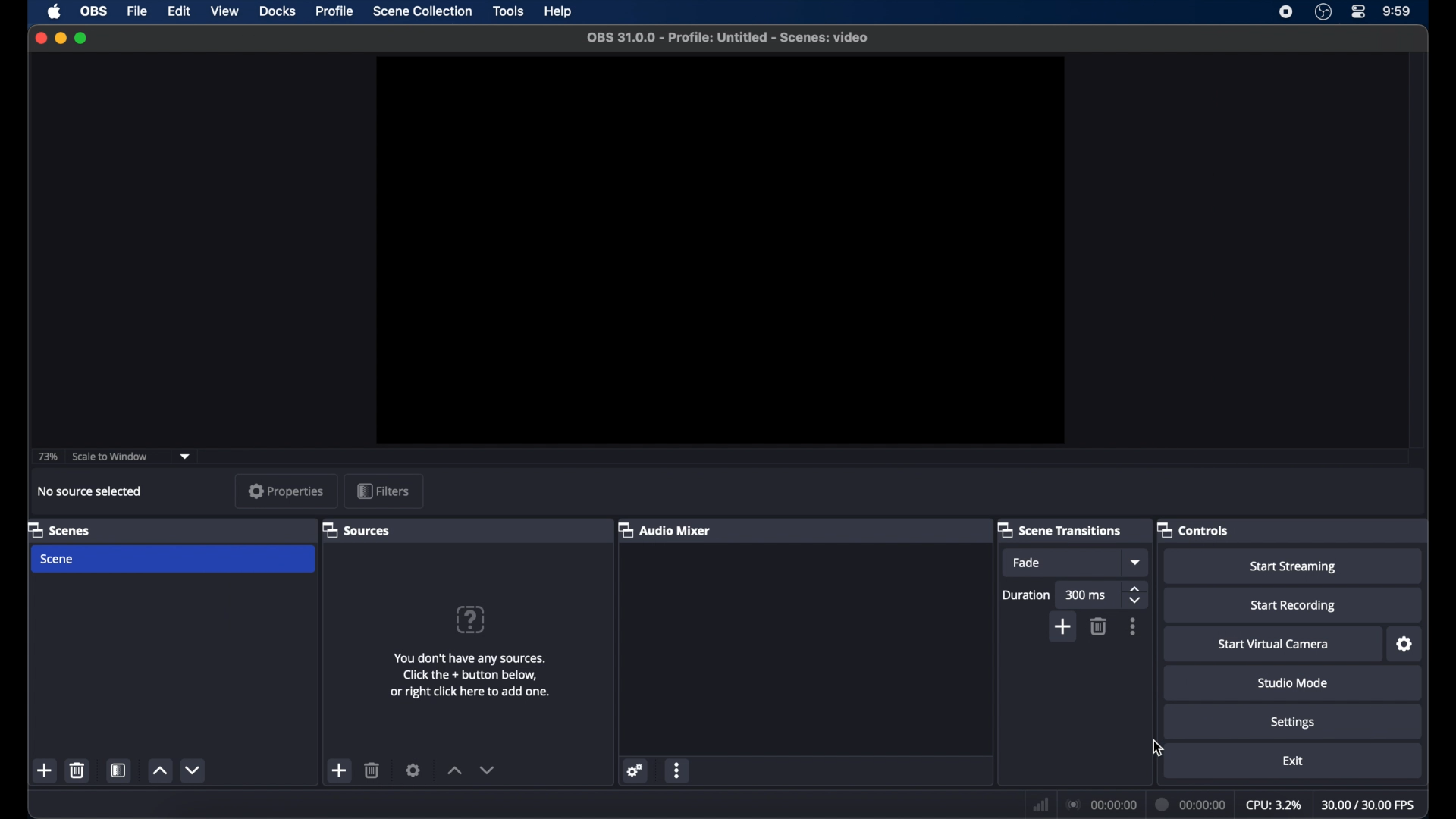  I want to click on scene filters, so click(121, 770).